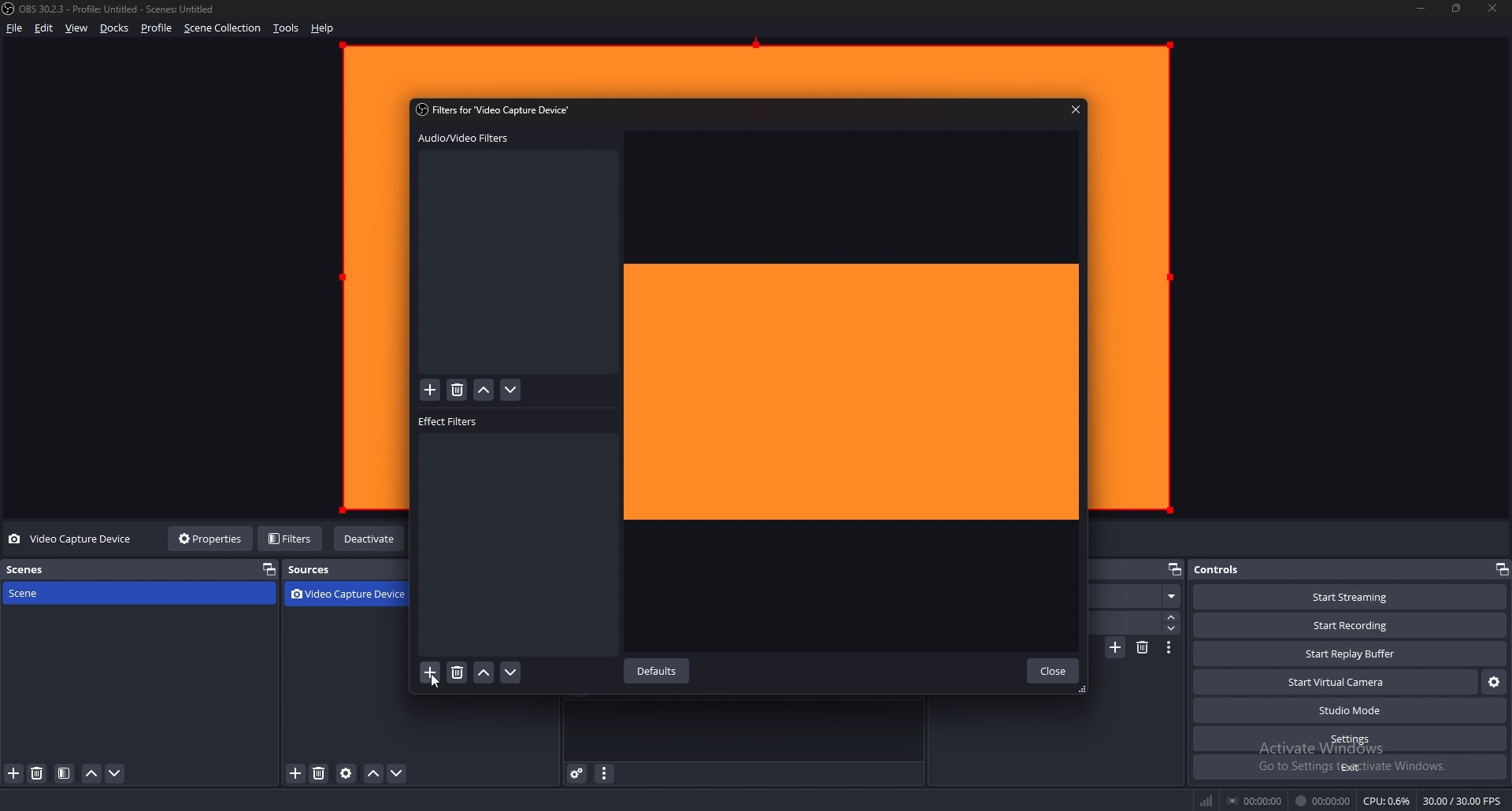 This screenshot has height=811, width=1512. I want to click on deactivate, so click(370, 539).